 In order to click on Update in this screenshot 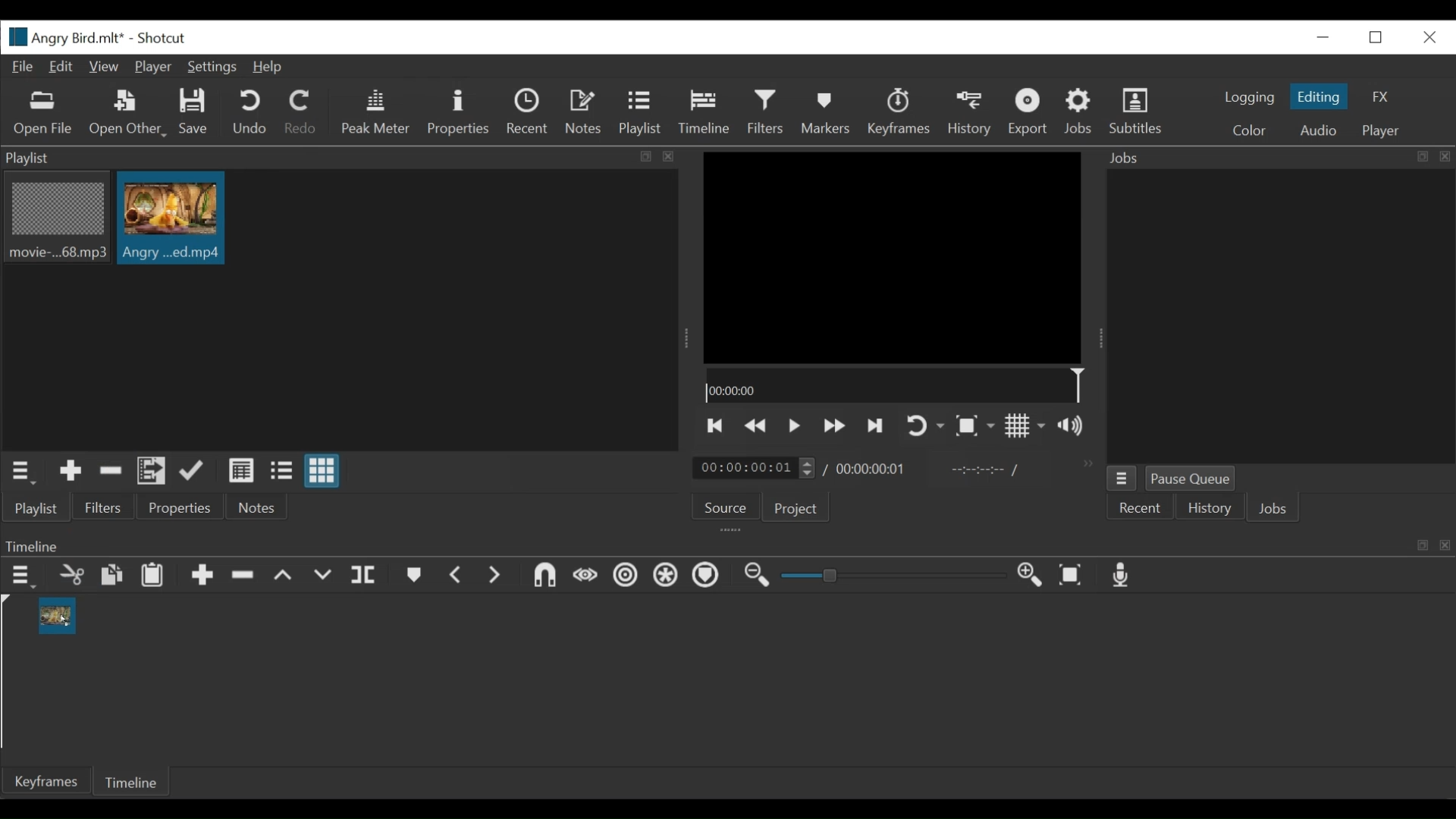, I will do `click(195, 472)`.